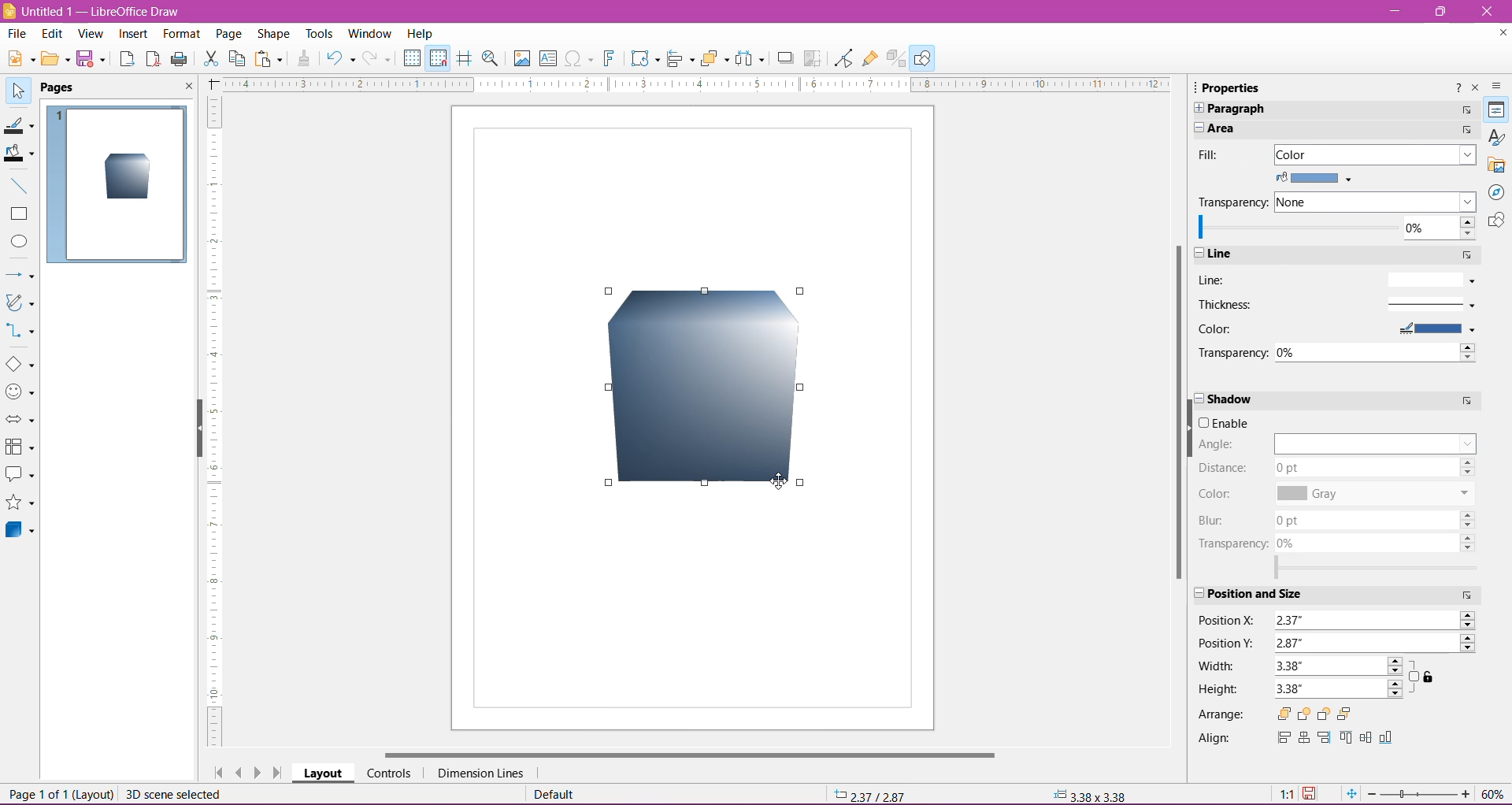 This screenshot has height=805, width=1512. What do you see at coordinates (1285, 714) in the screenshot?
I see `Bring to Front` at bounding box center [1285, 714].